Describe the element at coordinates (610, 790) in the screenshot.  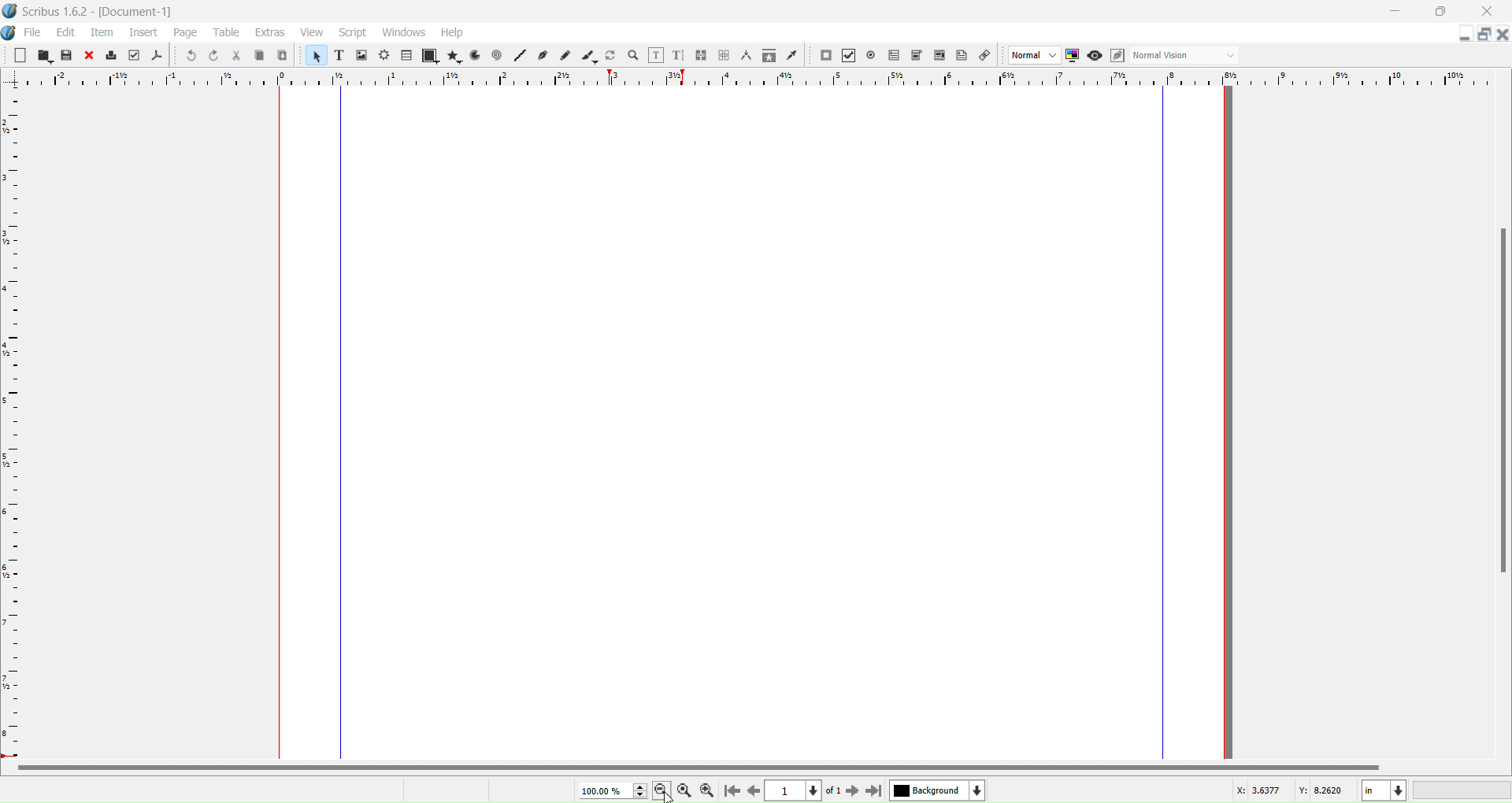
I see `Current Zoom Level` at that location.